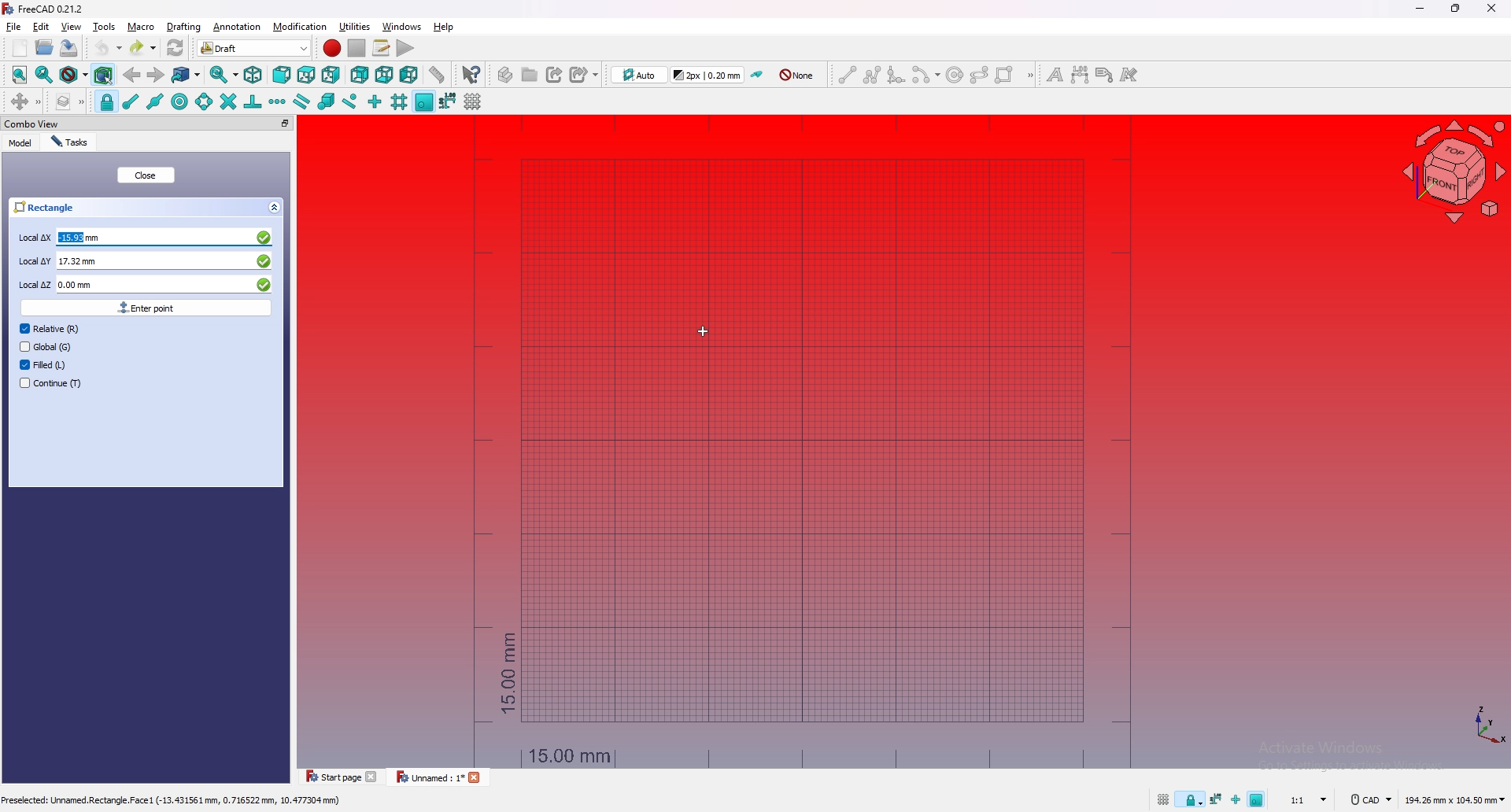 The height and width of the screenshot is (812, 1511). I want to click on snap working plane, so click(1258, 798).